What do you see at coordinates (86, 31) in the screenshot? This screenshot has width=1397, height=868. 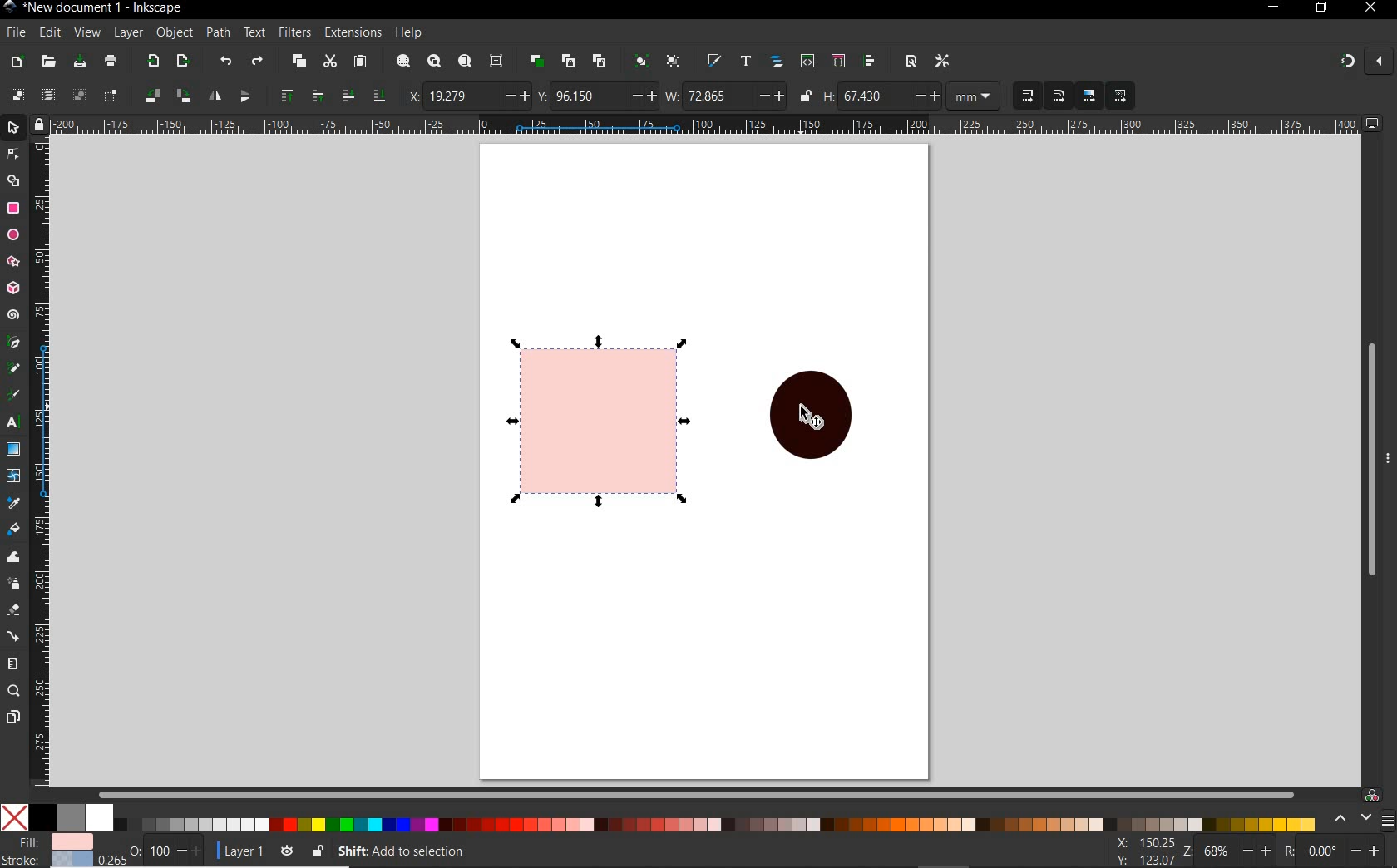 I see `view` at bounding box center [86, 31].